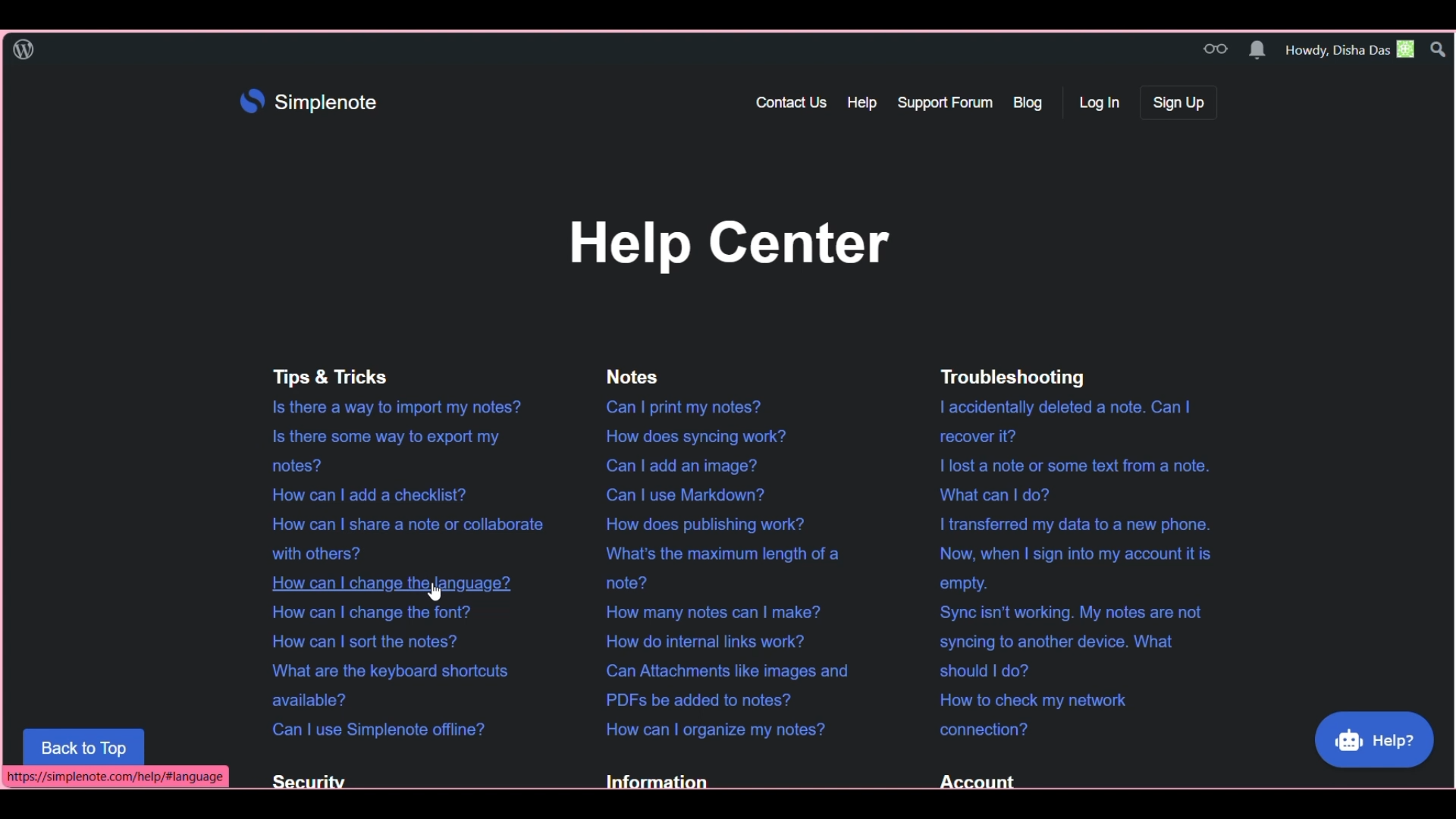 This screenshot has width=1456, height=819. I want to click on | transferred my data to a new phone. Now, when | sign into my account it is empty., so click(1068, 554).